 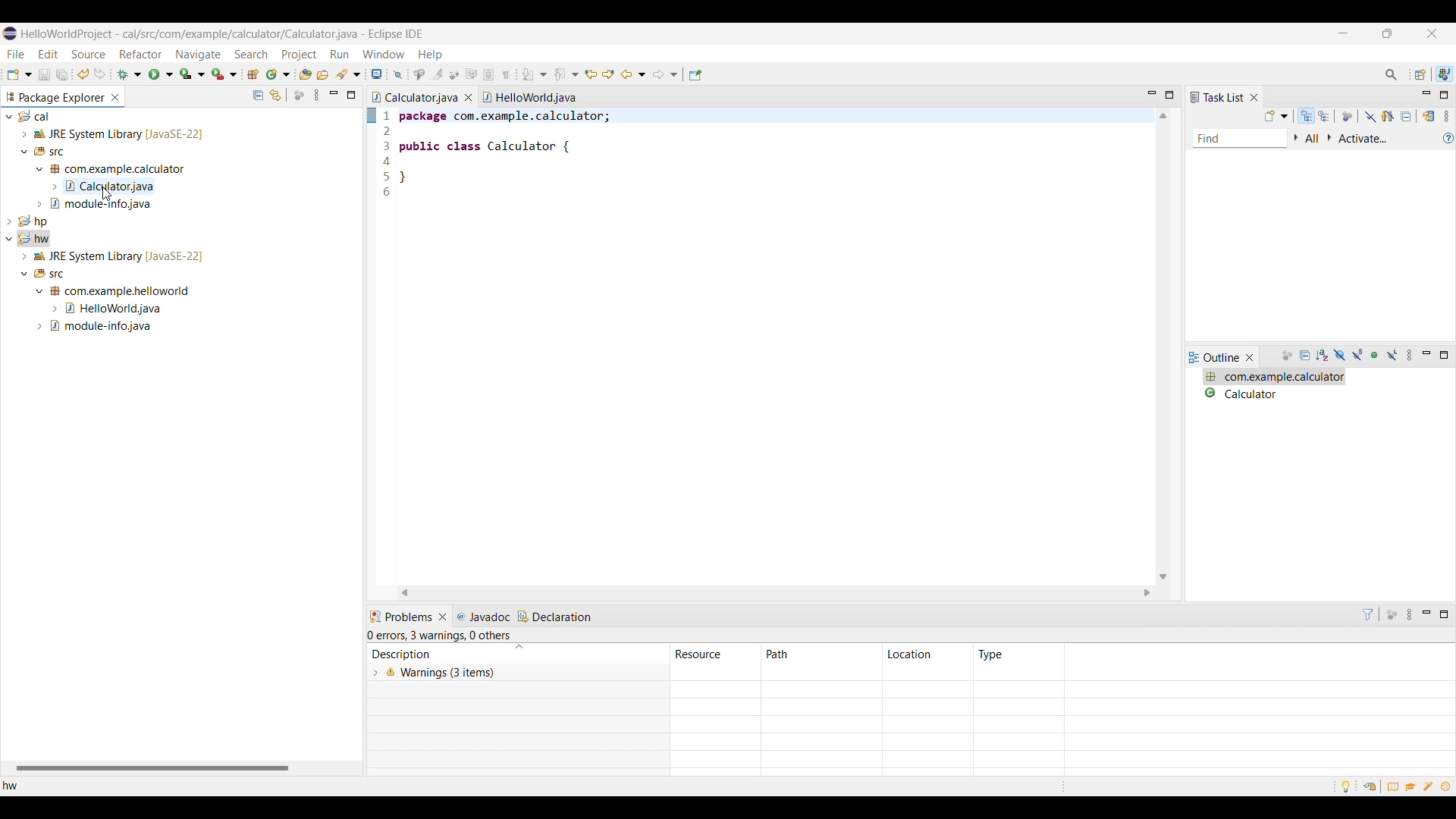 What do you see at coordinates (1430, 786) in the screenshot?
I see `Samples` at bounding box center [1430, 786].